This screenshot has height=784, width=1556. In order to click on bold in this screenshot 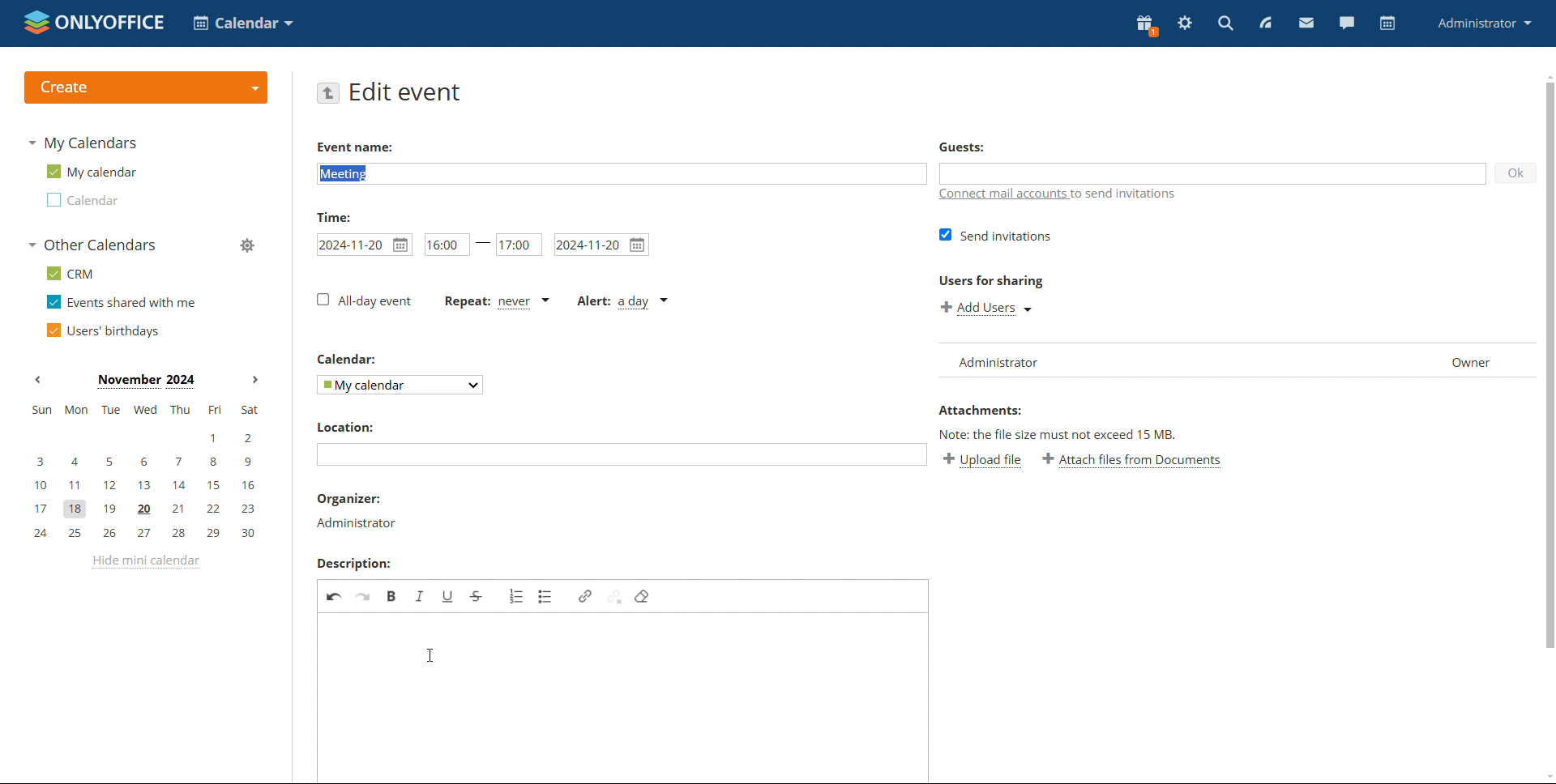, I will do `click(394, 595)`.